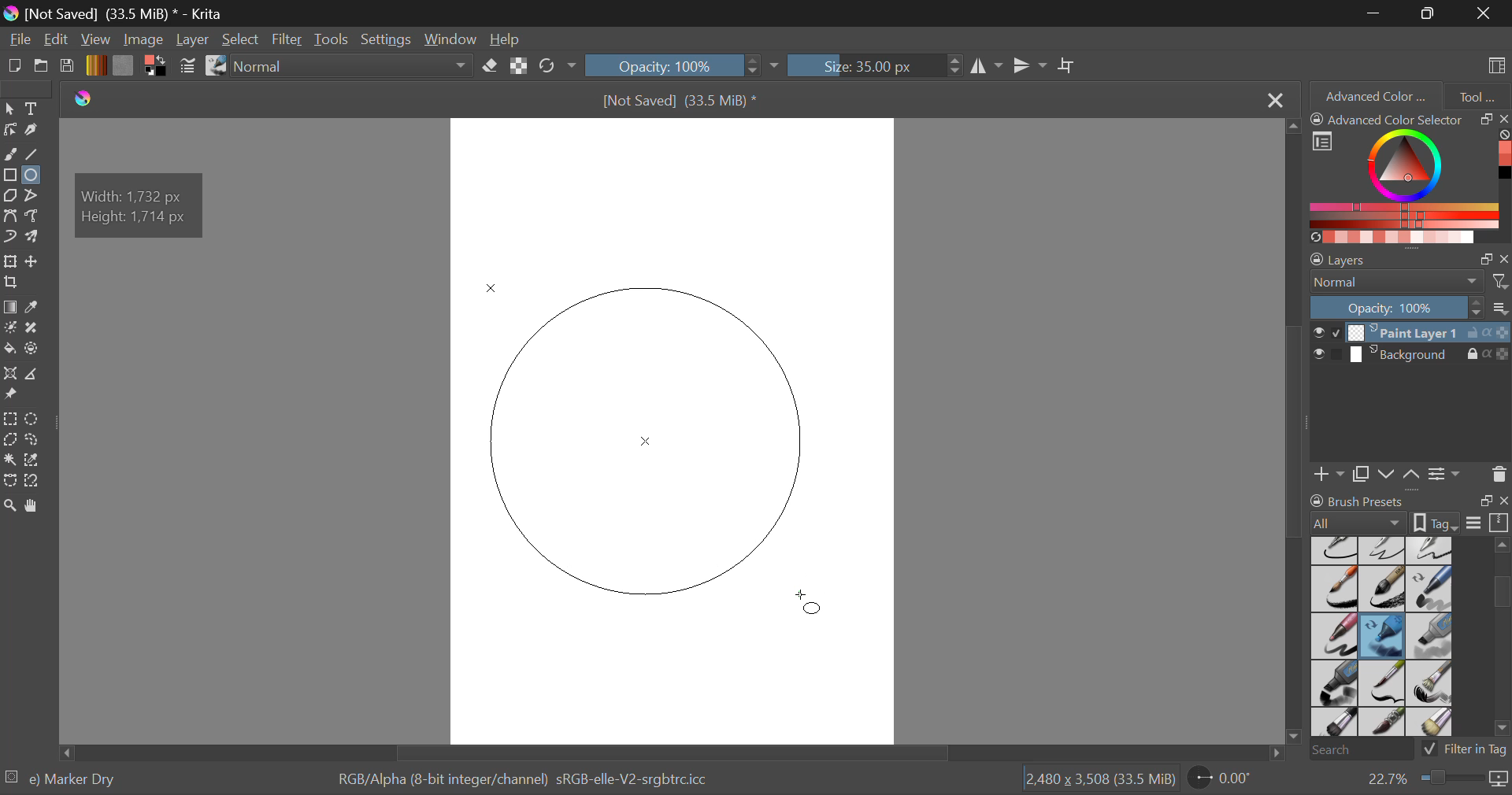 Image resolution: width=1512 pixels, height=795 pixels. What do you see at coordinates (656, 444) in the screenshot?
I see `Mock Shape Generated ` at bounding box center [656, 444].